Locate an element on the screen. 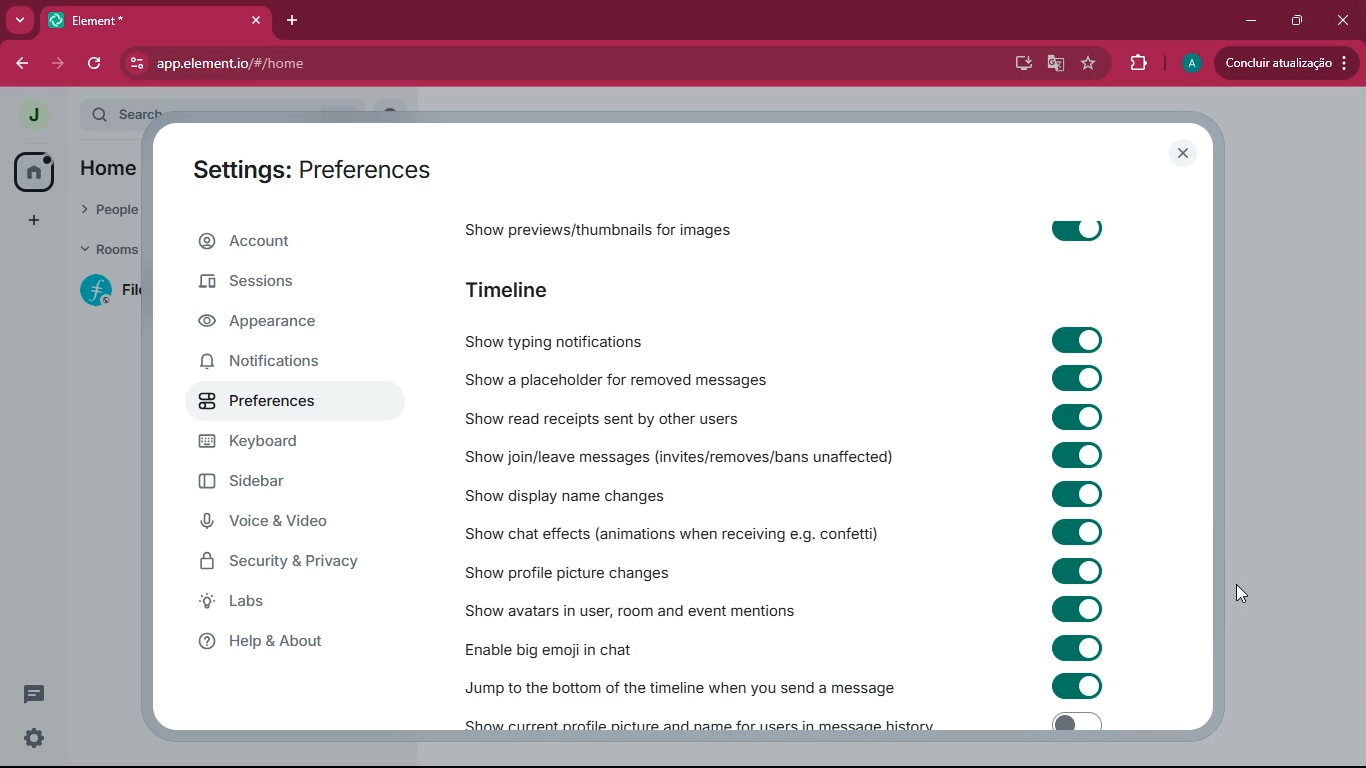 The width and height of the screenshot is (1366, 768). rooms is located at coordinates (107, 252).